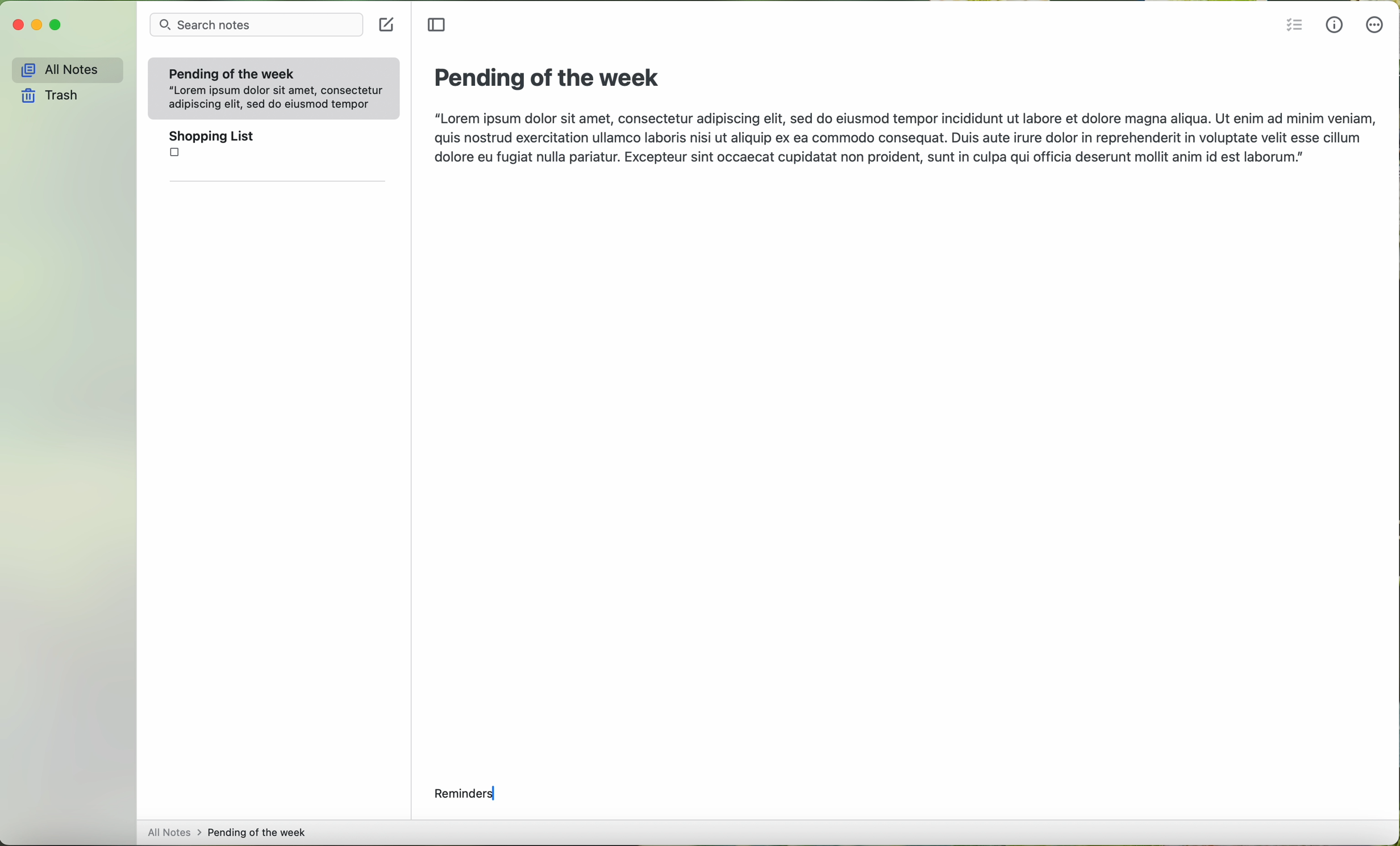 The height and width of the screenshot is (846, 1400). What do you see at coordinates (498, 794) in the screenshot?
I see `cursor` at bounding box center [498, 794].